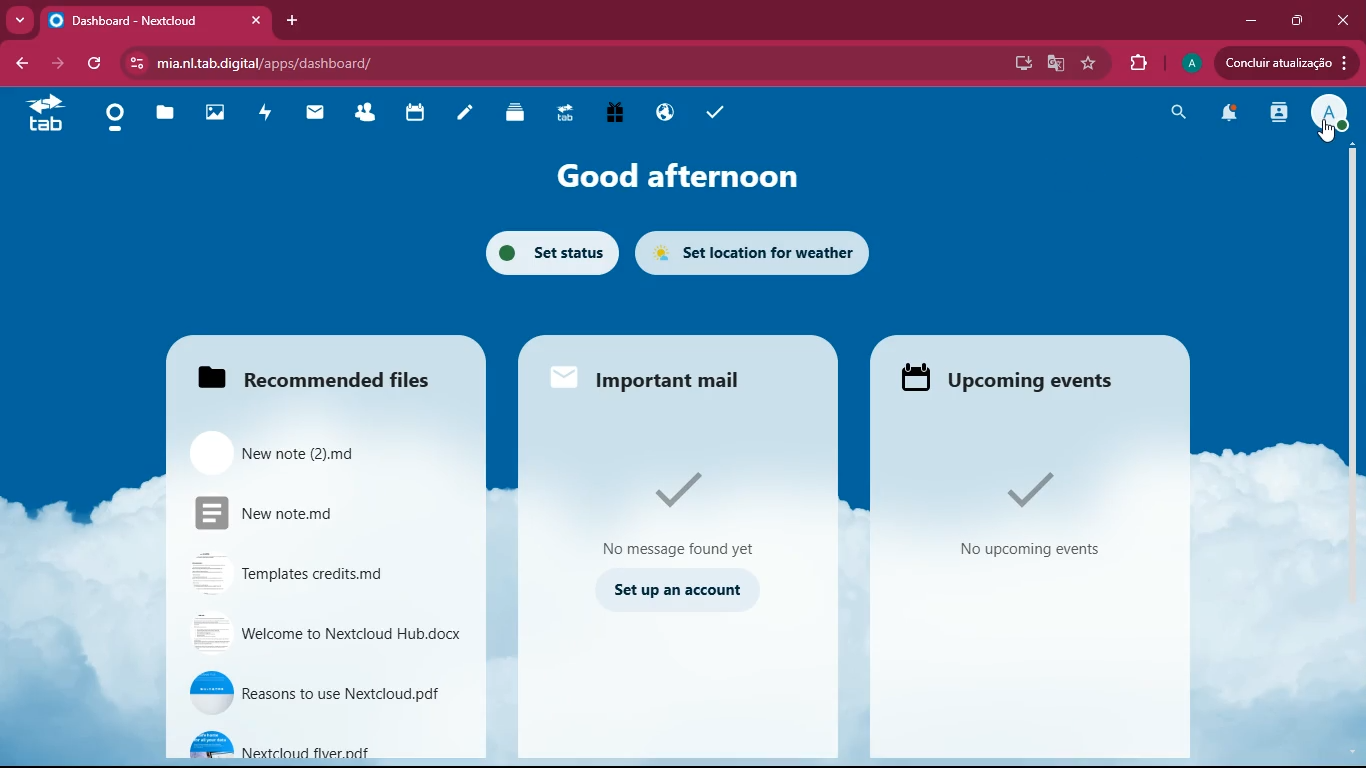 Image resolution: width=1366 pixels, height=768 pixels. Describe the element at coordinates (317, 456) in the screenshot. I see `New note (2).md` at that location.